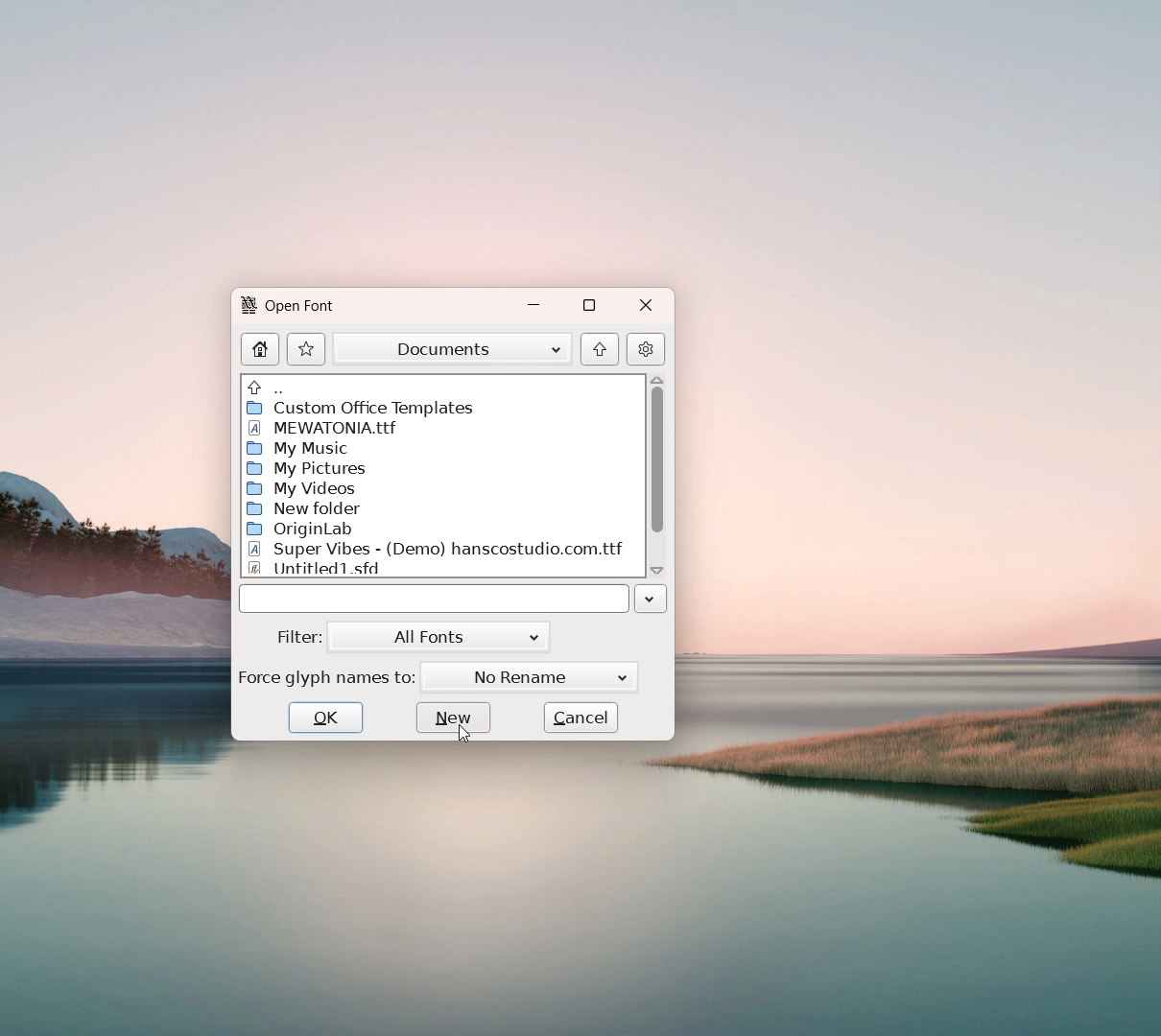  What do you see at coordinates (530, 675) in the screenshot?
I see `No Rename` at bounding box center [530, 675].